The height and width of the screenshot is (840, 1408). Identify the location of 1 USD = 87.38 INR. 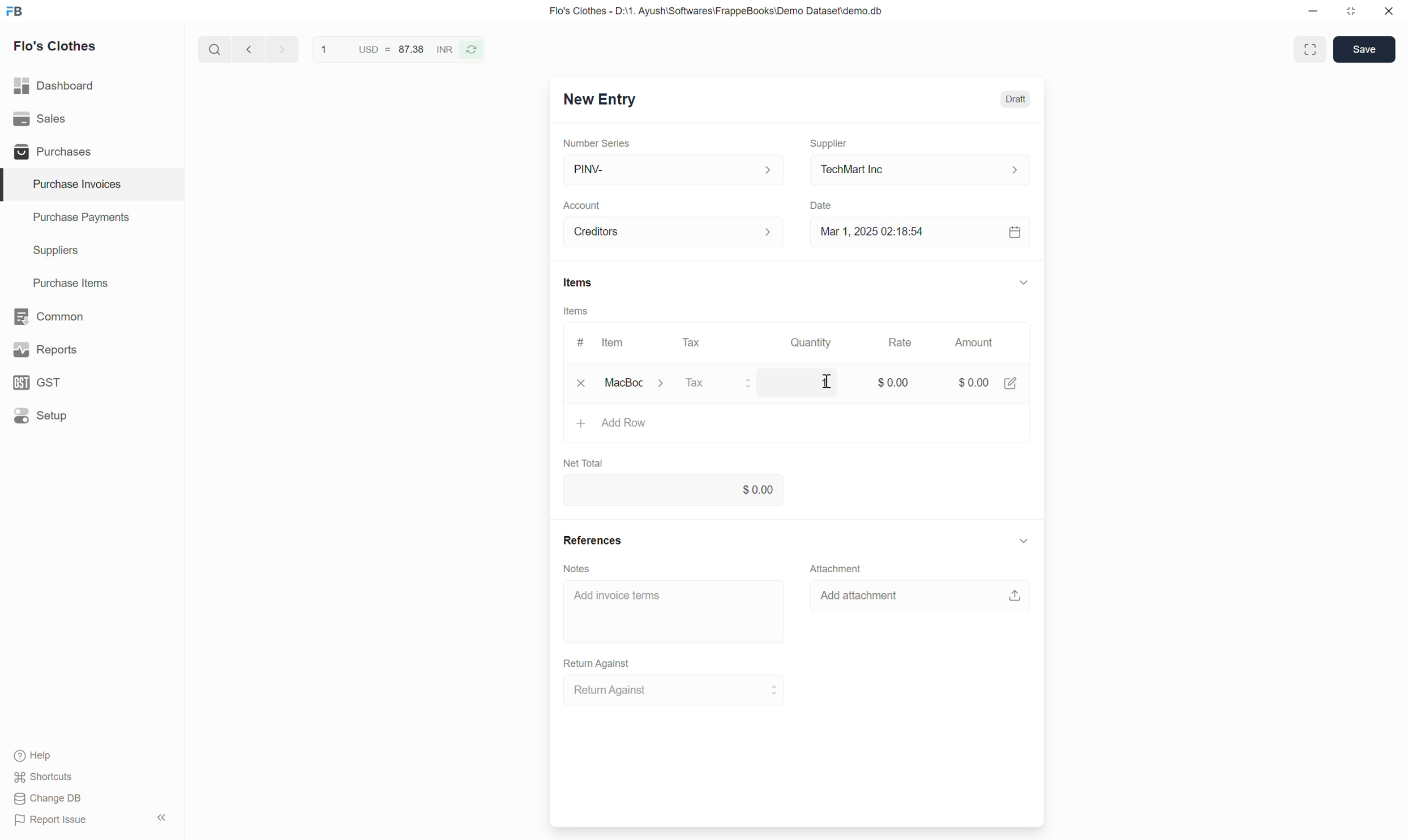
(385, 49).